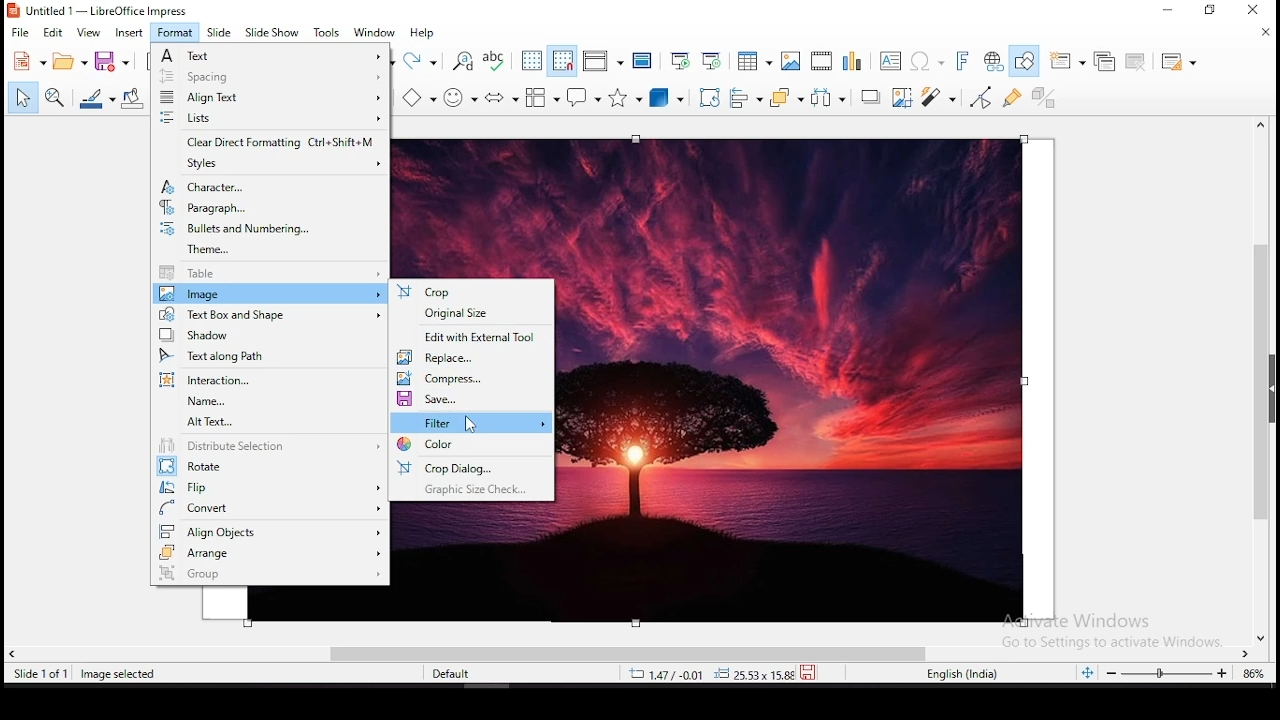  I want to click on edit, so click(55, 33).